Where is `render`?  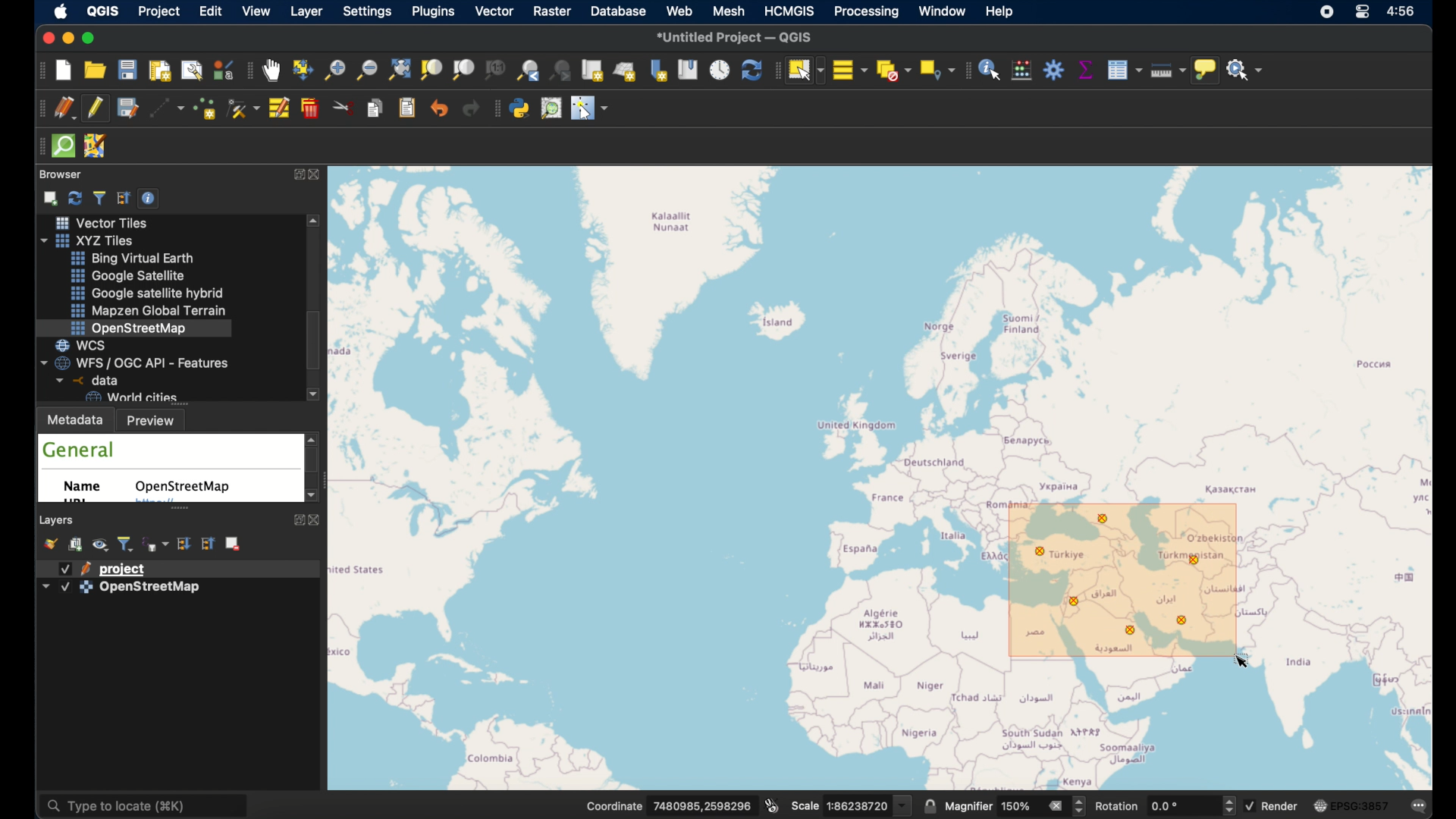 render is located at coordinates (1282, 805).